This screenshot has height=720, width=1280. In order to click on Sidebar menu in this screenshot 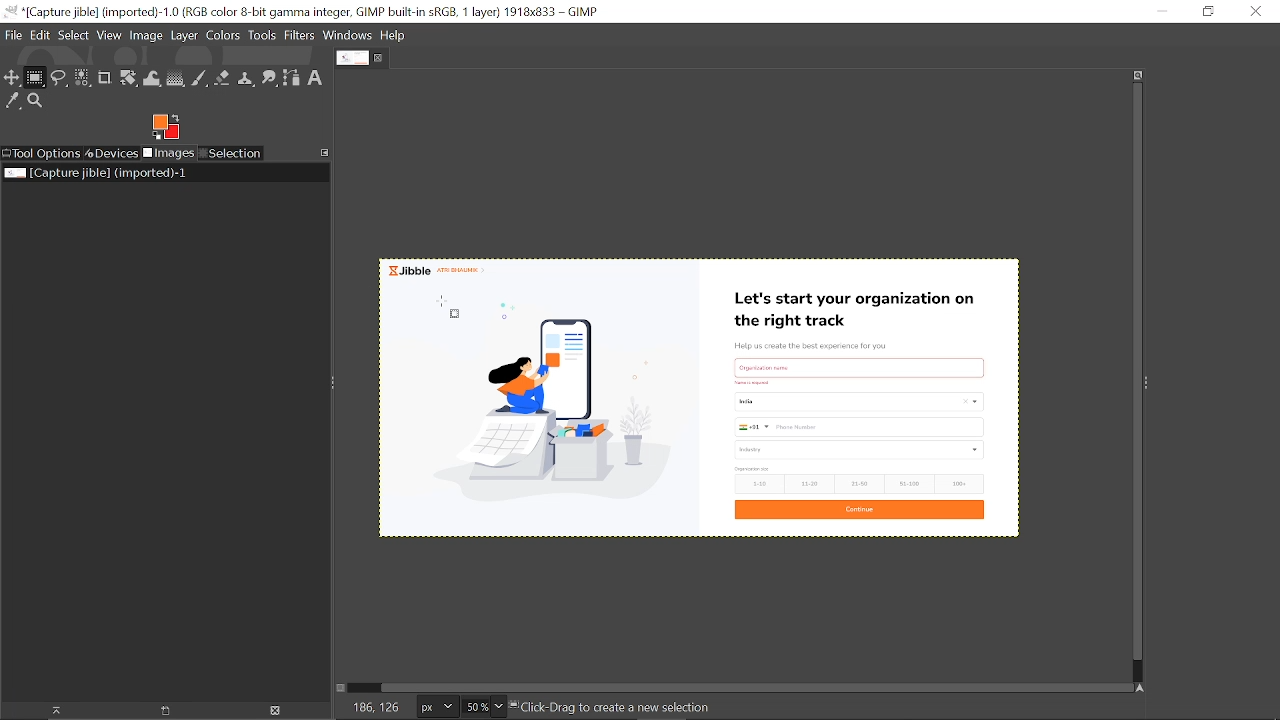, I will do `click(1152, 384)`.